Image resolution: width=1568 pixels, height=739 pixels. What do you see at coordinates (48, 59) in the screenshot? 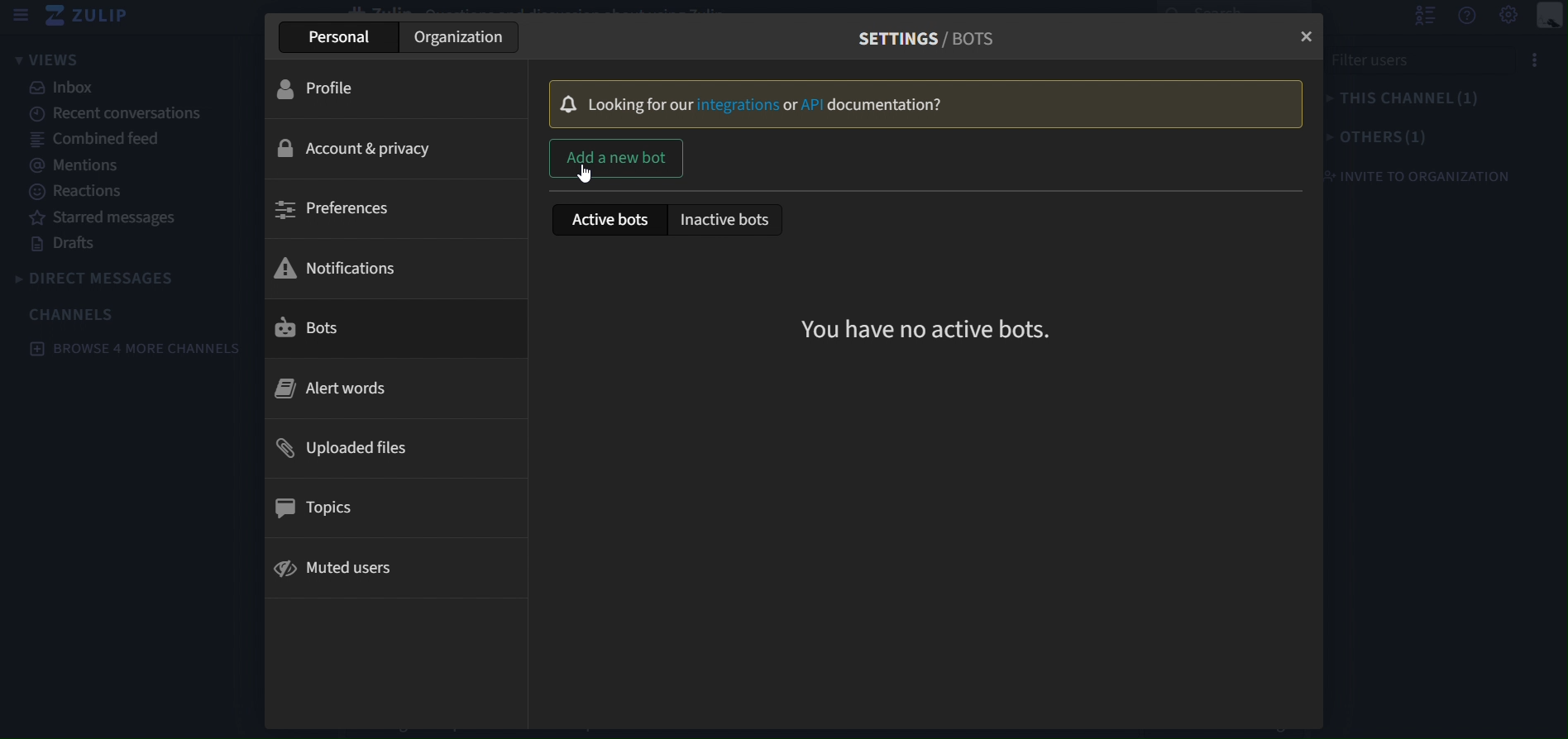
I see `view` at bounding box center [48, 59].